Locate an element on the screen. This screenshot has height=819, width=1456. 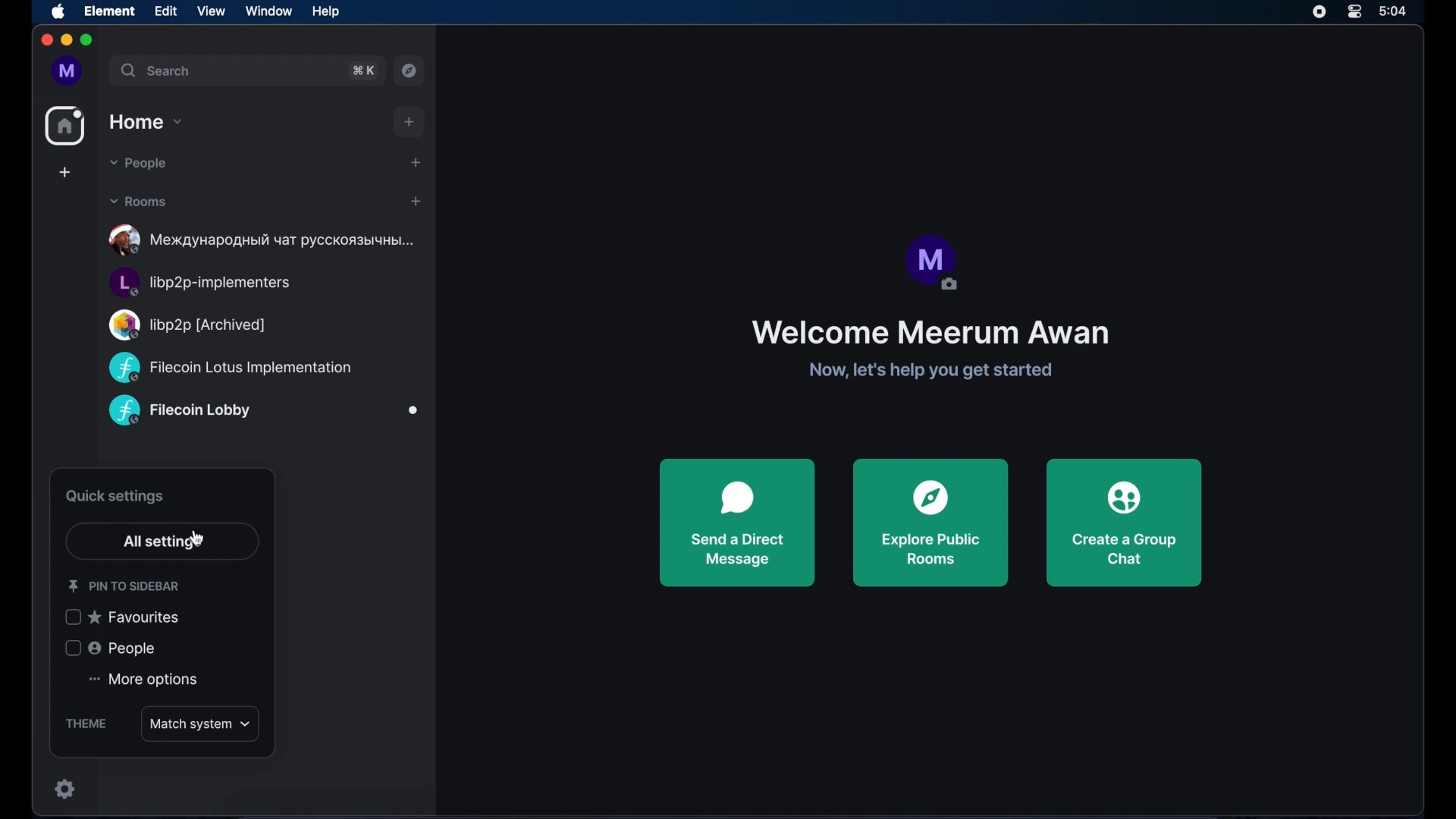
cursor is located at coordinates (196, 539).